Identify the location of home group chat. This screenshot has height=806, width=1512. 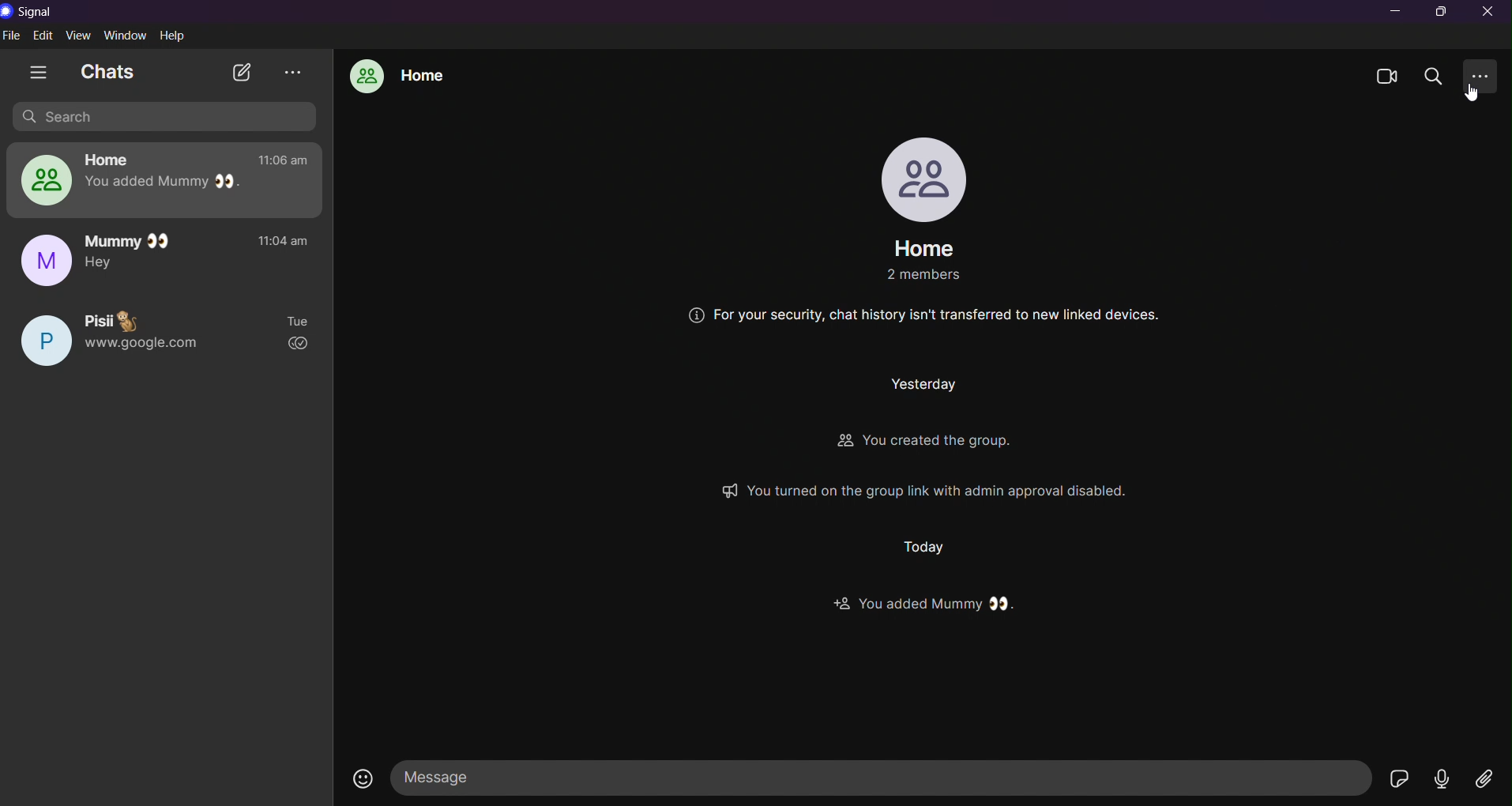
(160, 179).